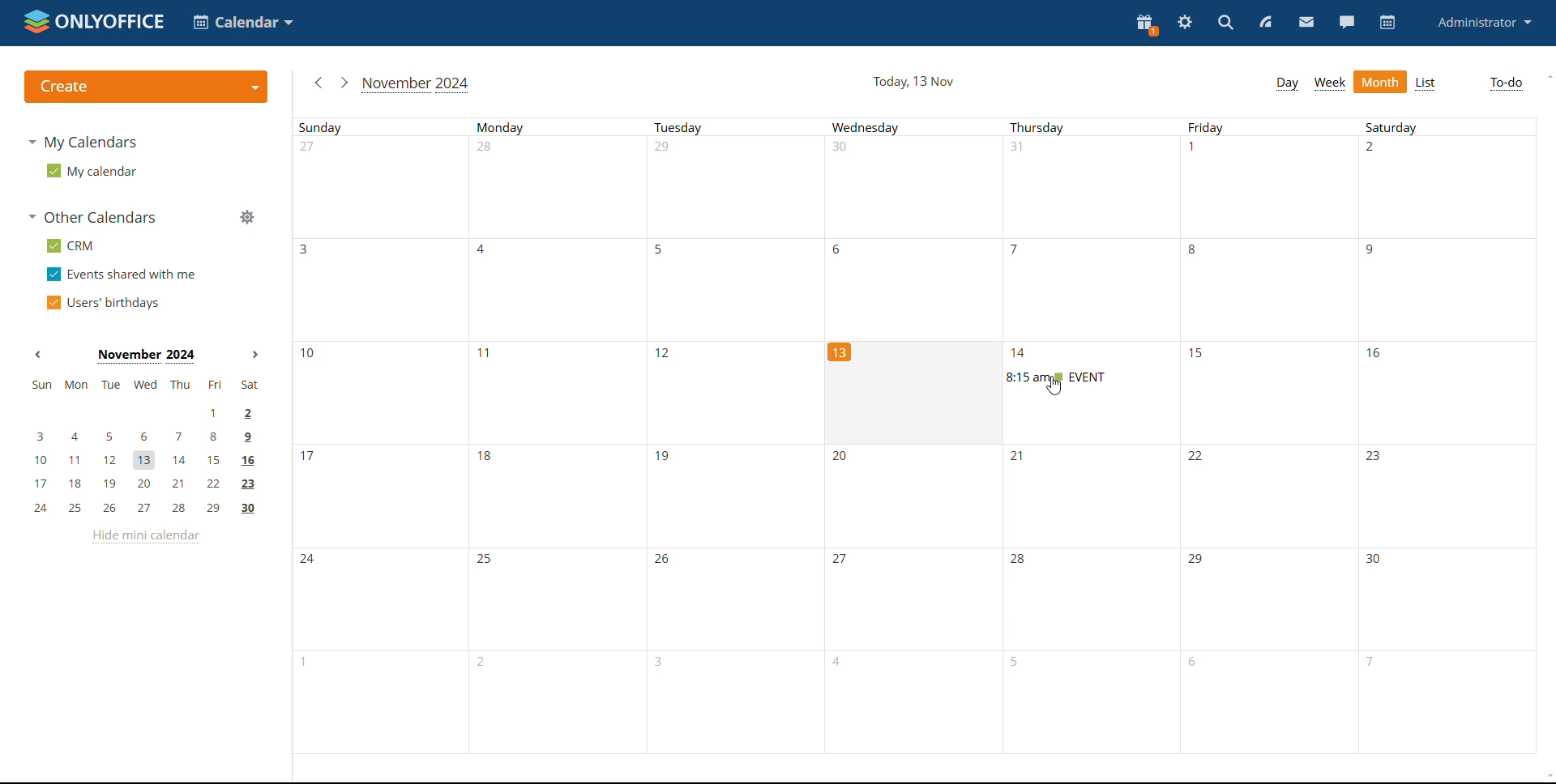 The height and width of the screenshot is (784, 1556). I want to click on unallocated time slots for 1-7 december, so click(933, 700).